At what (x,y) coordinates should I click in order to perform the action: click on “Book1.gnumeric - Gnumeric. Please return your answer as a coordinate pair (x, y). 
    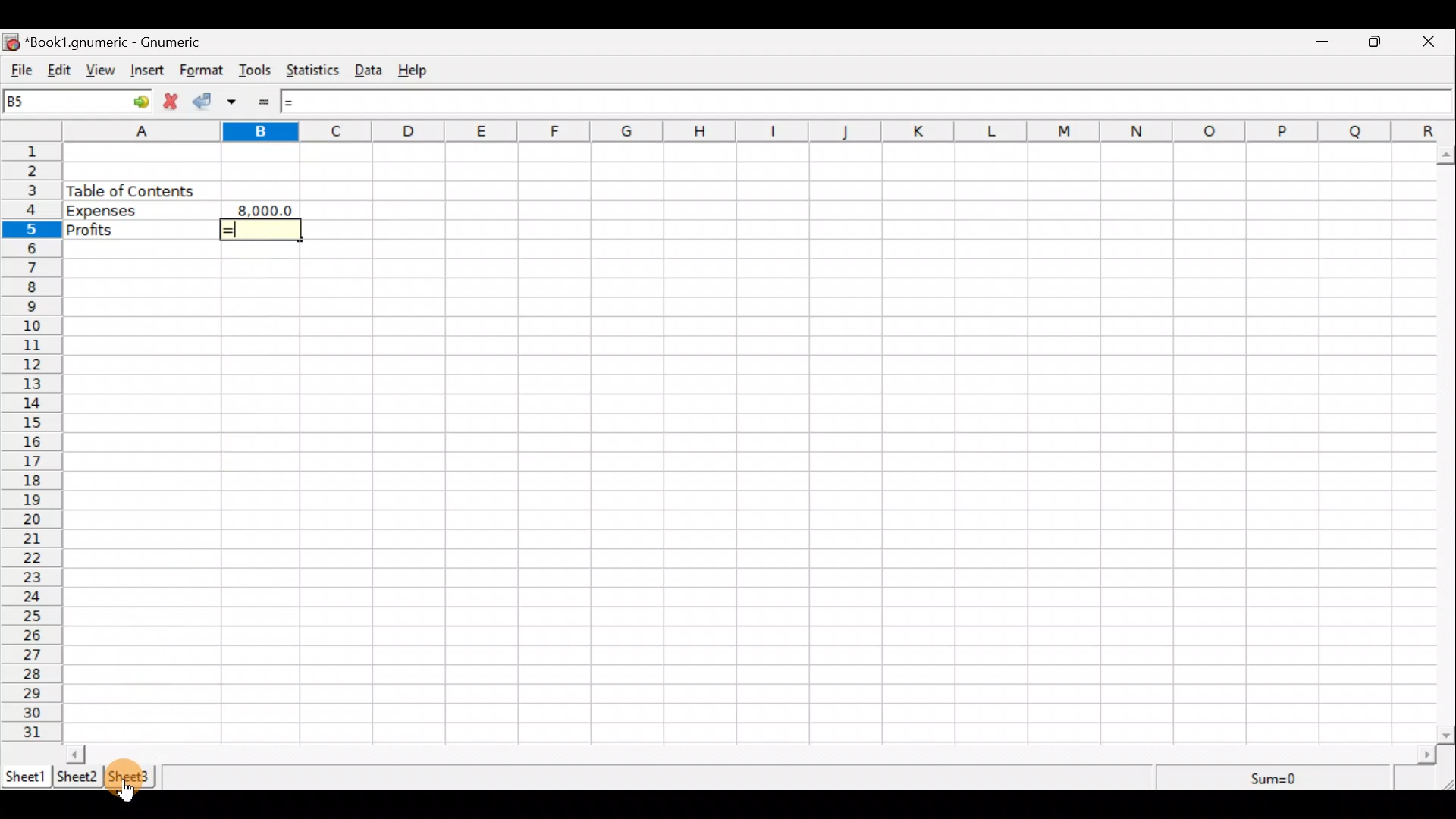
    Looking at the image, I should click on (121, 42).